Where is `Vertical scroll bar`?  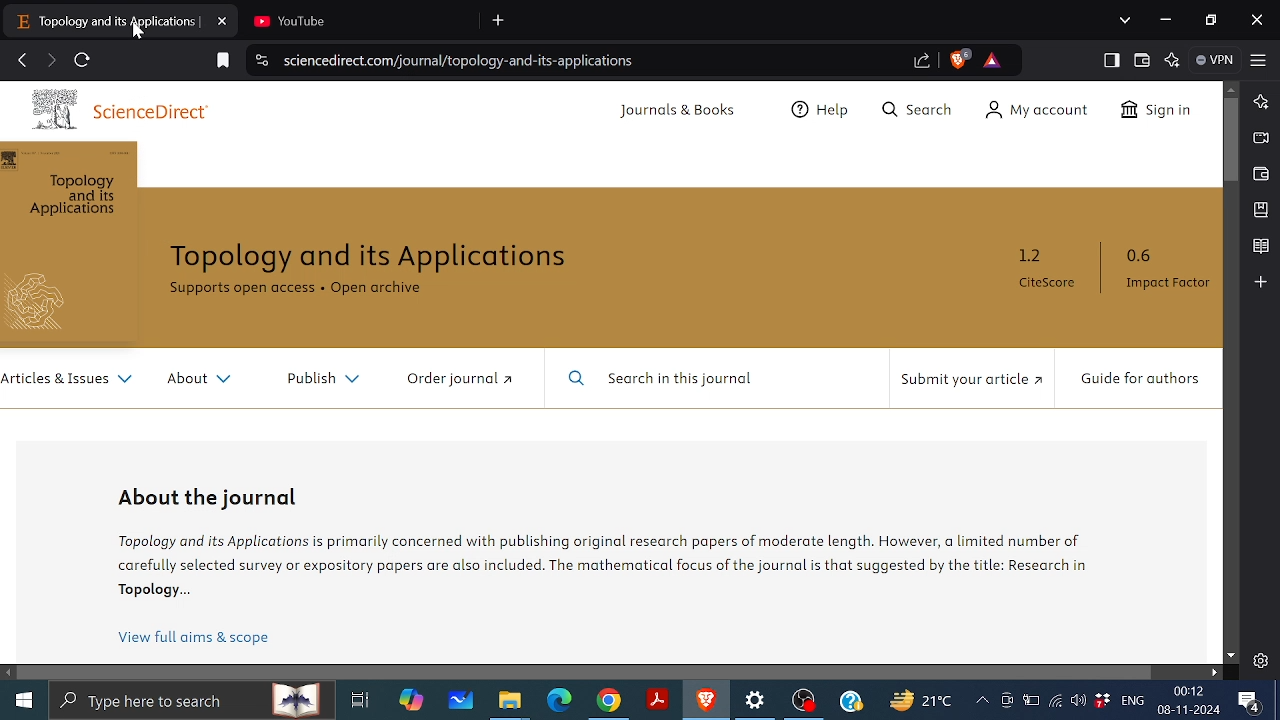 Vertical scroll bar is located at coordinates (1232, 141).